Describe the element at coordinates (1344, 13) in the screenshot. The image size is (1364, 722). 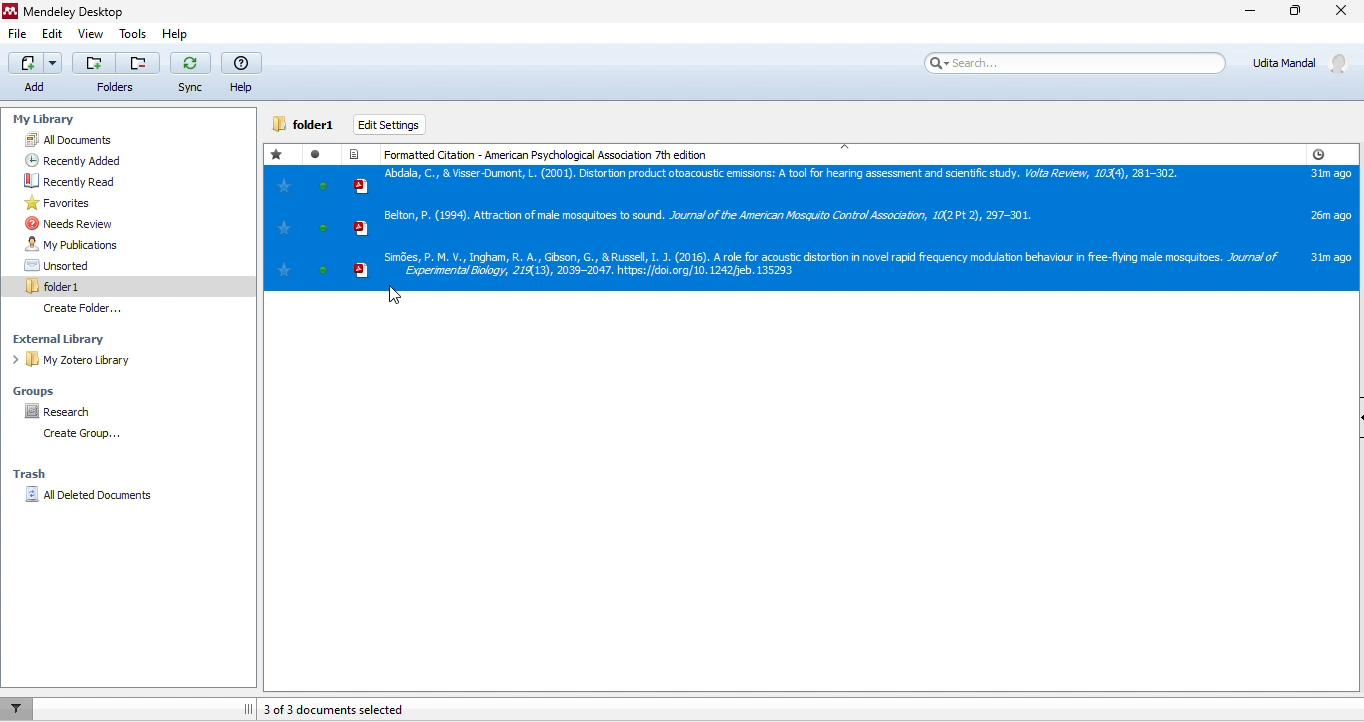
I see `close` at that location.